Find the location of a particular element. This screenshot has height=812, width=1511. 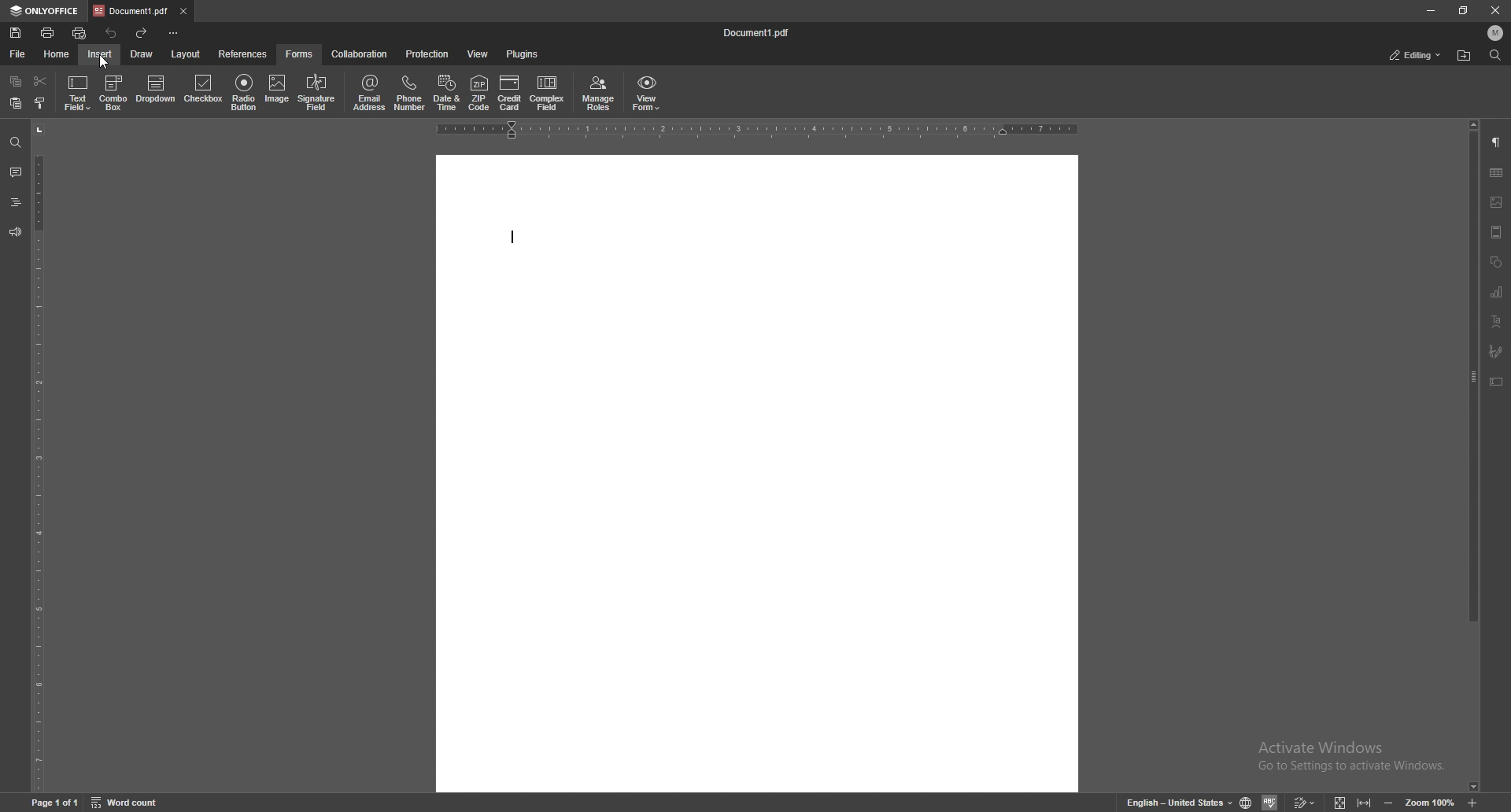

close is located at coordinates (1494, 10).